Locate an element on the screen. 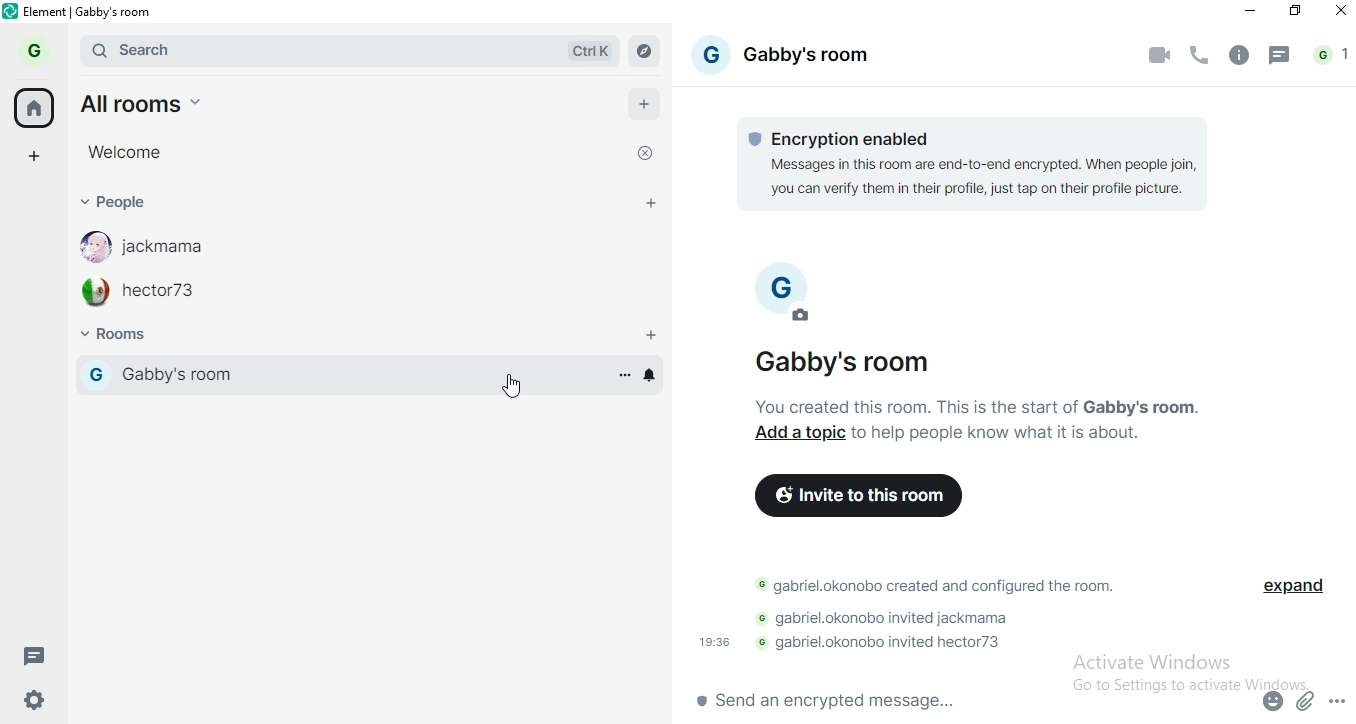 The image size is (1356, 724). emoji is located at coordinates (1274, 698).